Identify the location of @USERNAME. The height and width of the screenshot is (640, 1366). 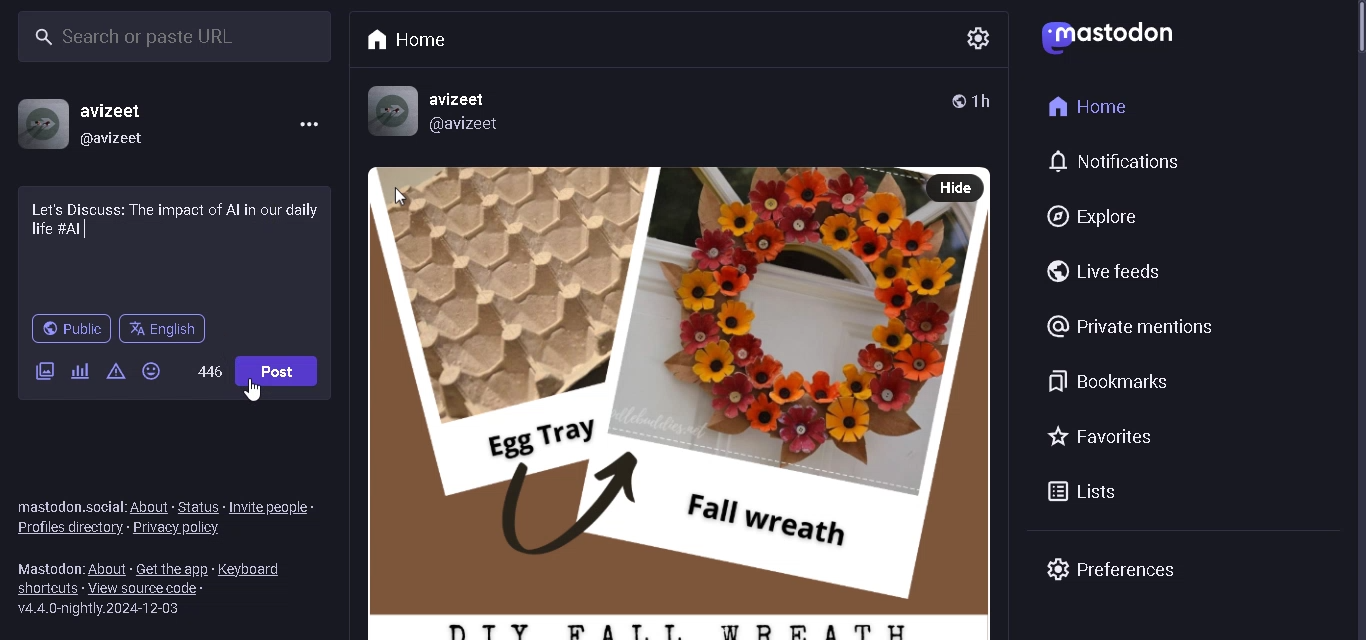
(122, 138).